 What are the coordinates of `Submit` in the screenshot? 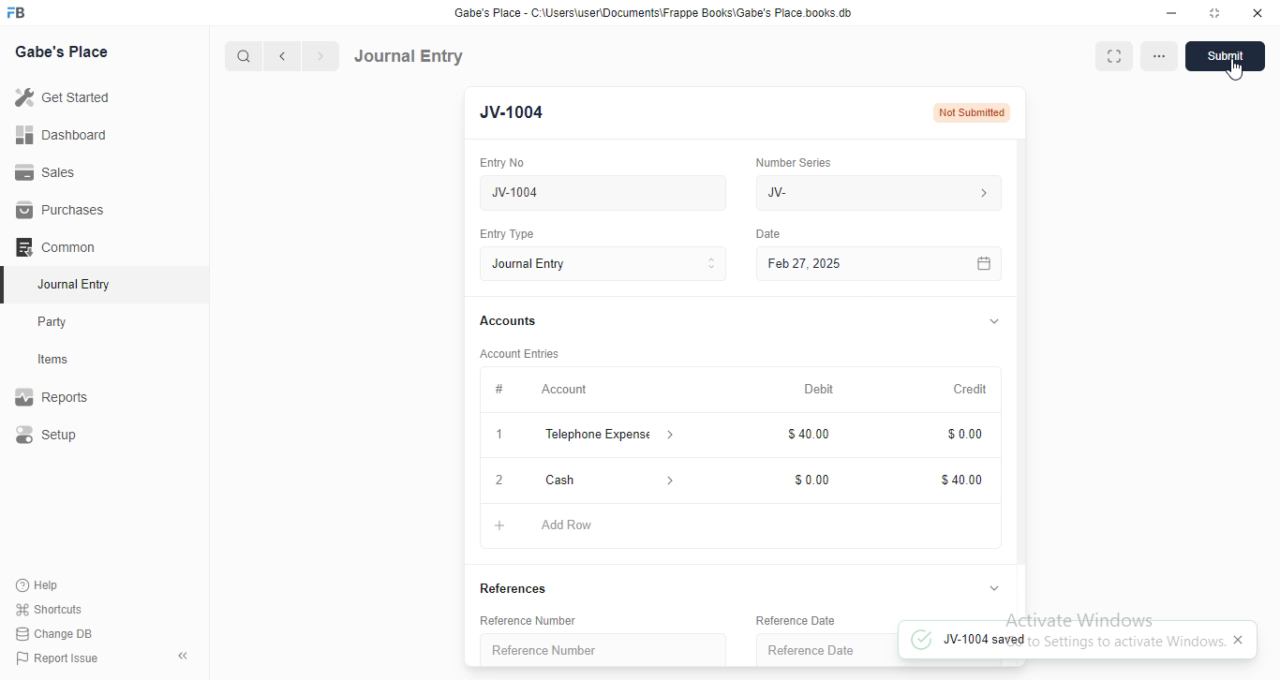 It's located at (1224, 57).